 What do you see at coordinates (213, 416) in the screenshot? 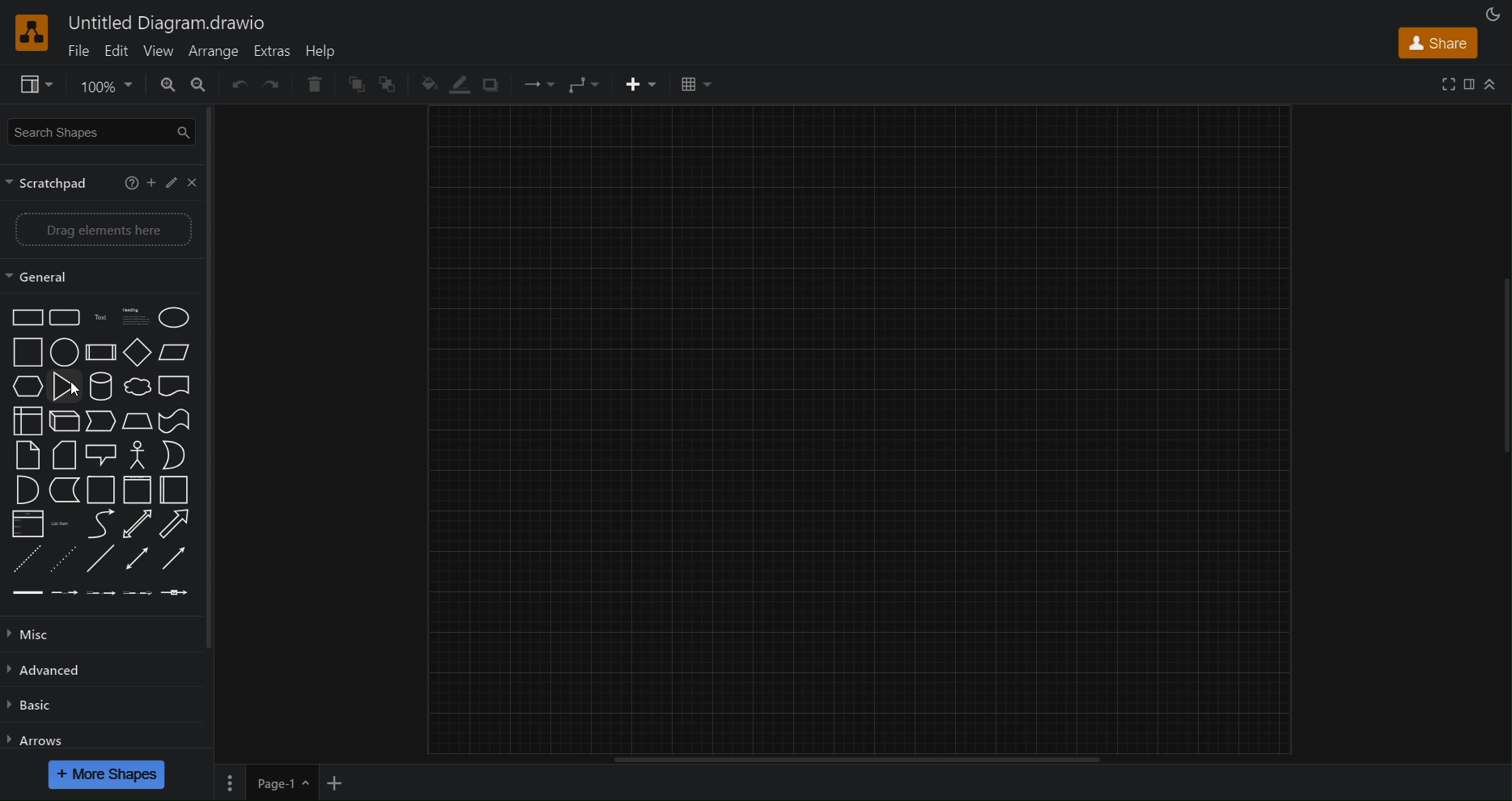
I see `Scrollbar` at bounding box center [213, 416].